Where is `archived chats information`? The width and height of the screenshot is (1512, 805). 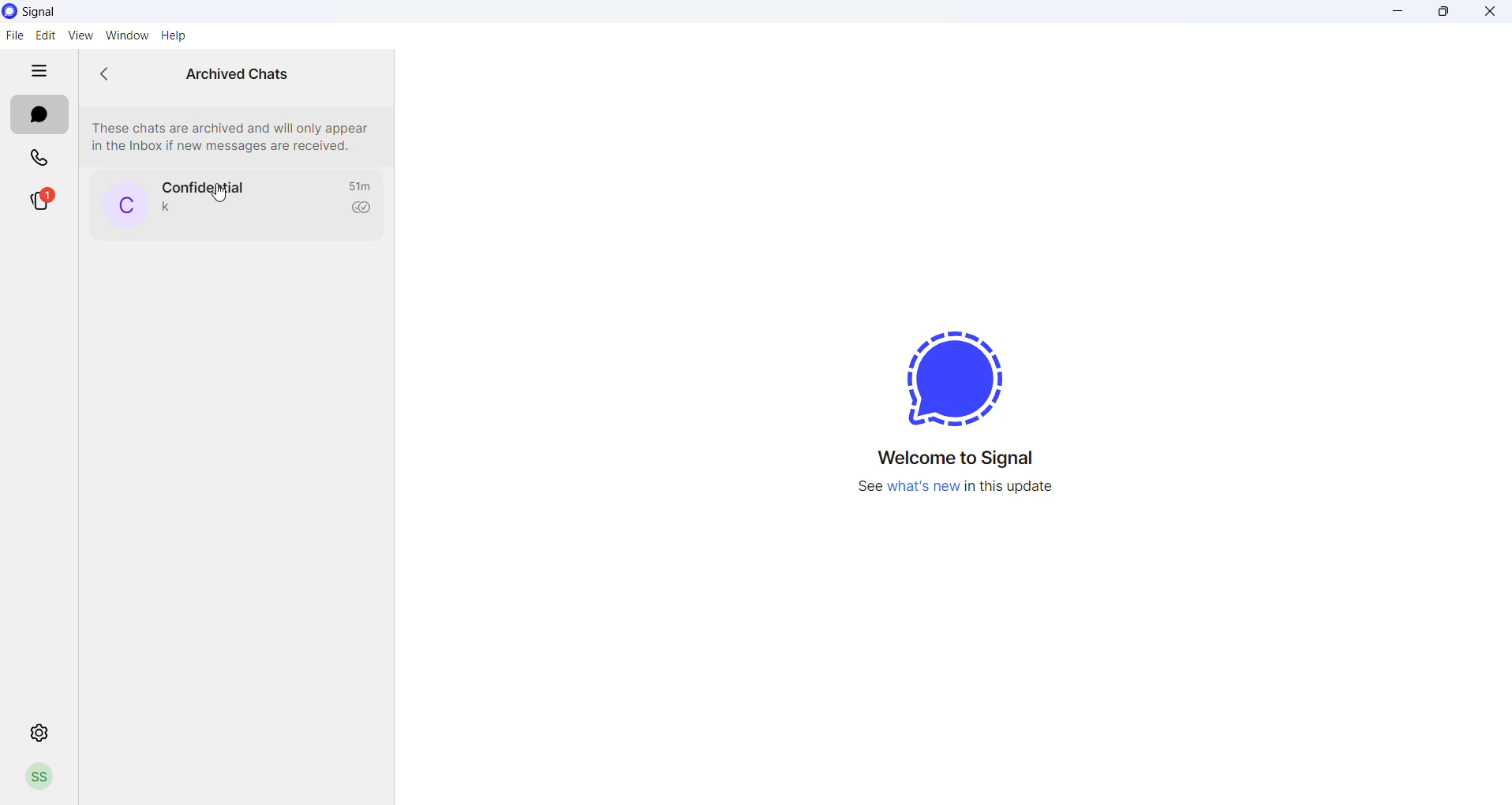
archived chats information is located at coordinates (232, 133).